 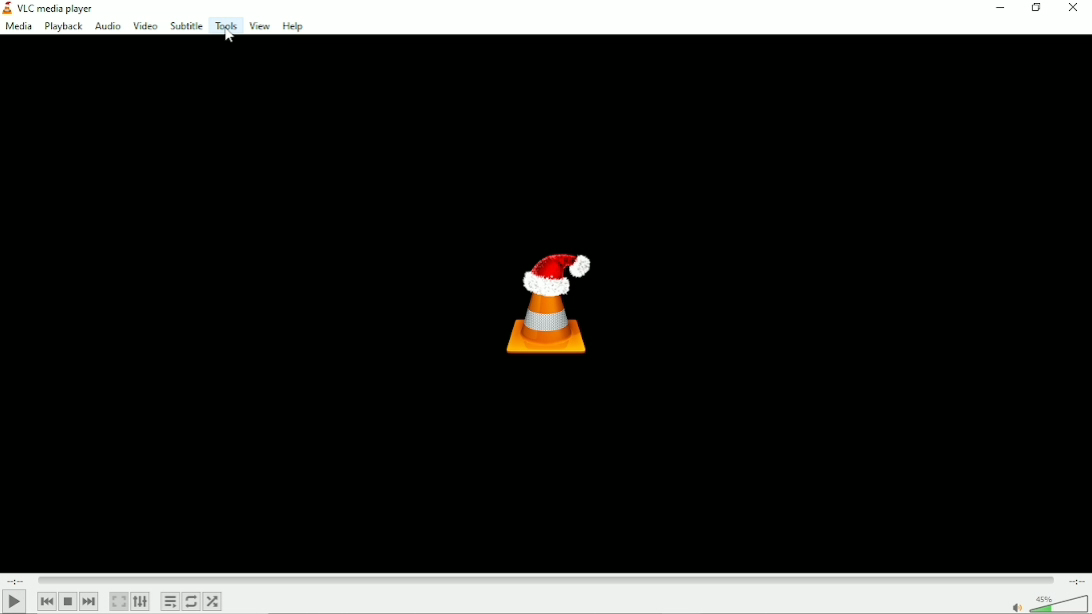 What do you see at coordinates (547, 580) in the screenshot?
I see `Play duration` at bounding box center [547, 580].